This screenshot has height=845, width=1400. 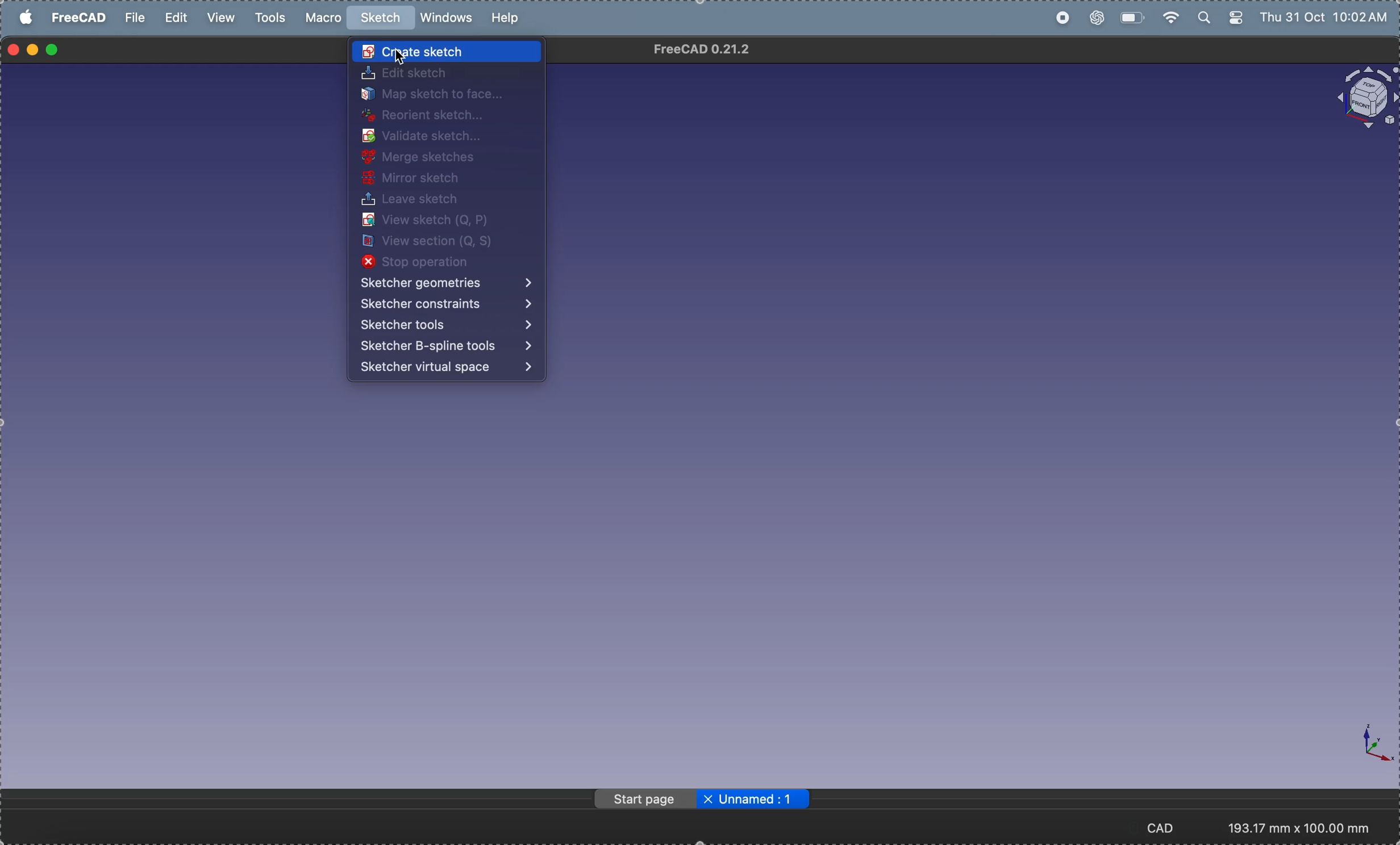 What do you see at coordinates (449, 367) in the screenshot?
I see `sketcher virtual space` at bounding box center [449, 367].